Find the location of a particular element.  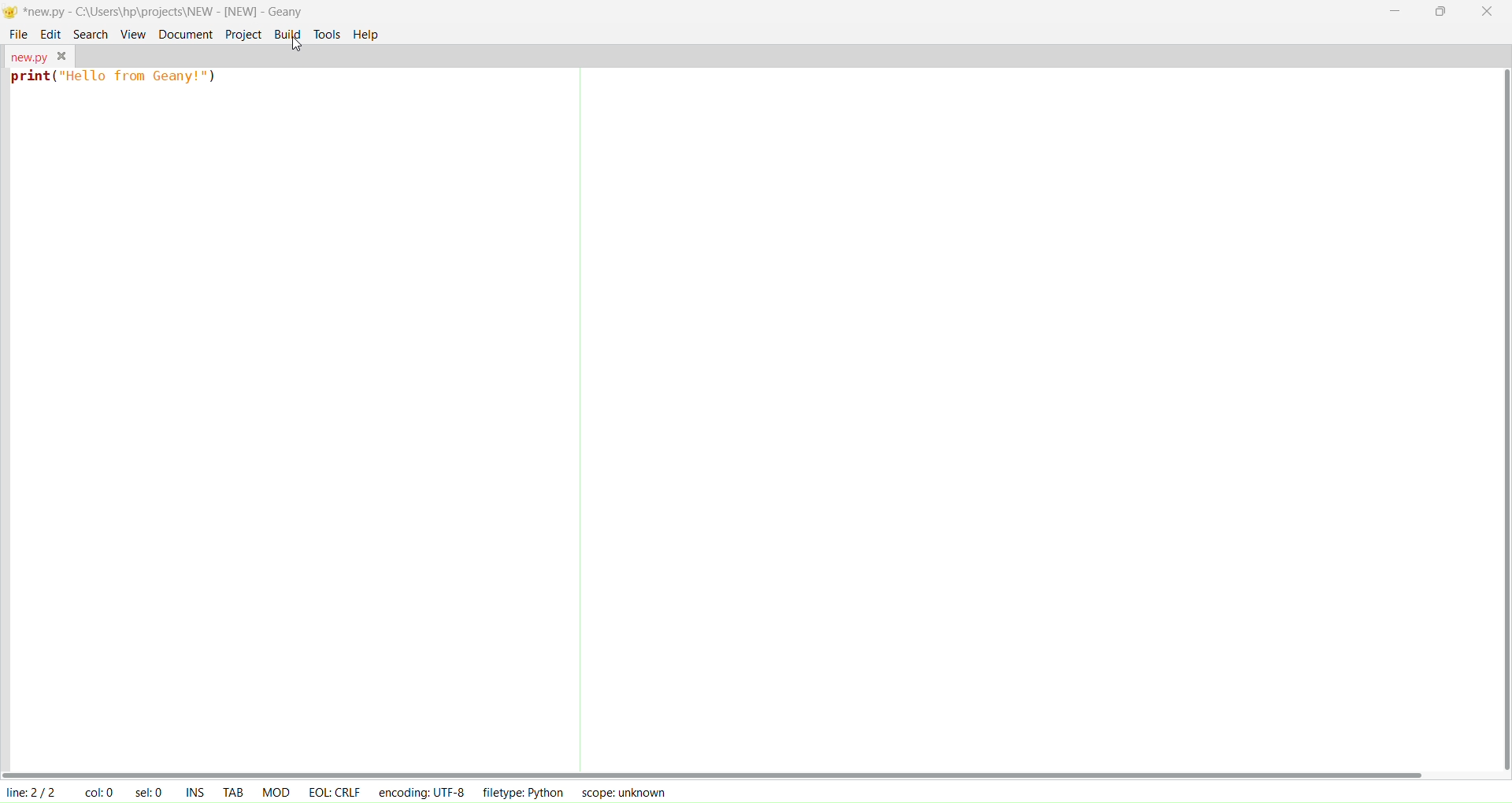

search is located at coordinates (87, 32).